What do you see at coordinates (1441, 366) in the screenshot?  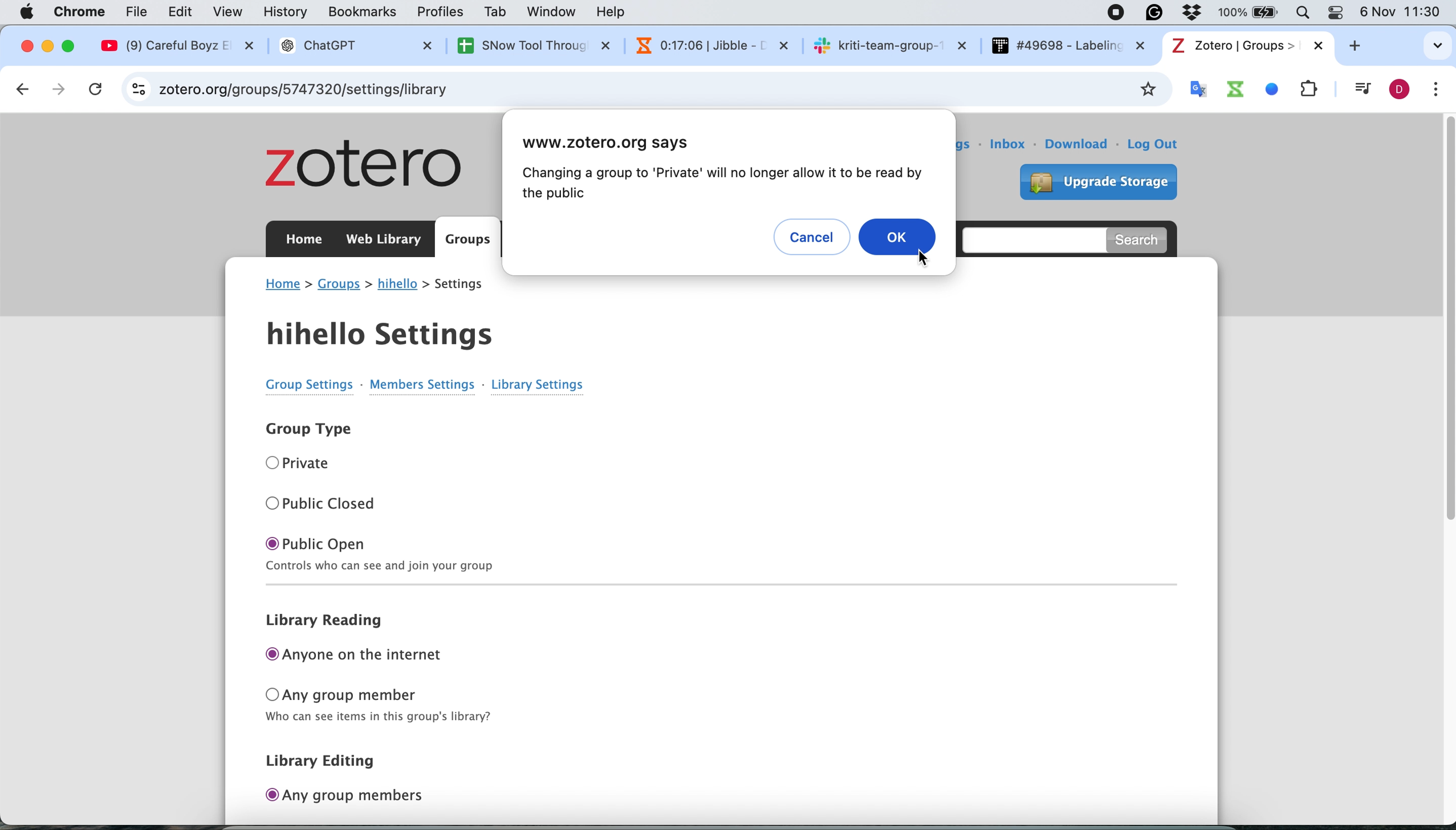 I see `vertical scroll bar` at bounding box center [1441, 366].